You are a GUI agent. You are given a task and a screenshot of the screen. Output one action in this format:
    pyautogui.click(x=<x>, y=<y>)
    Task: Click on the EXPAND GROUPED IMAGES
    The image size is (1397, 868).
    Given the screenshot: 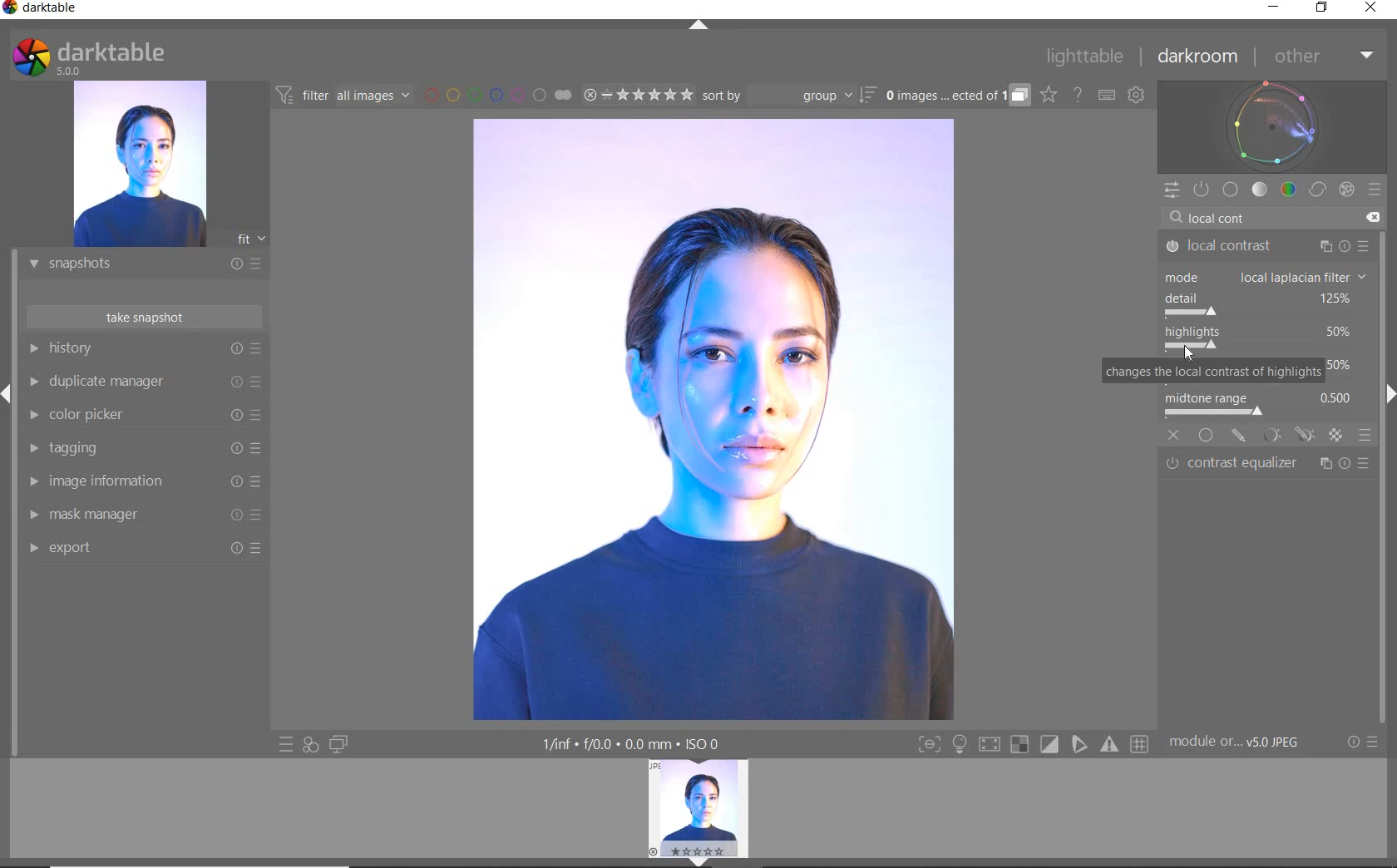 What is the action you would take?
    pyautogui.click(x=957, y=96)
    